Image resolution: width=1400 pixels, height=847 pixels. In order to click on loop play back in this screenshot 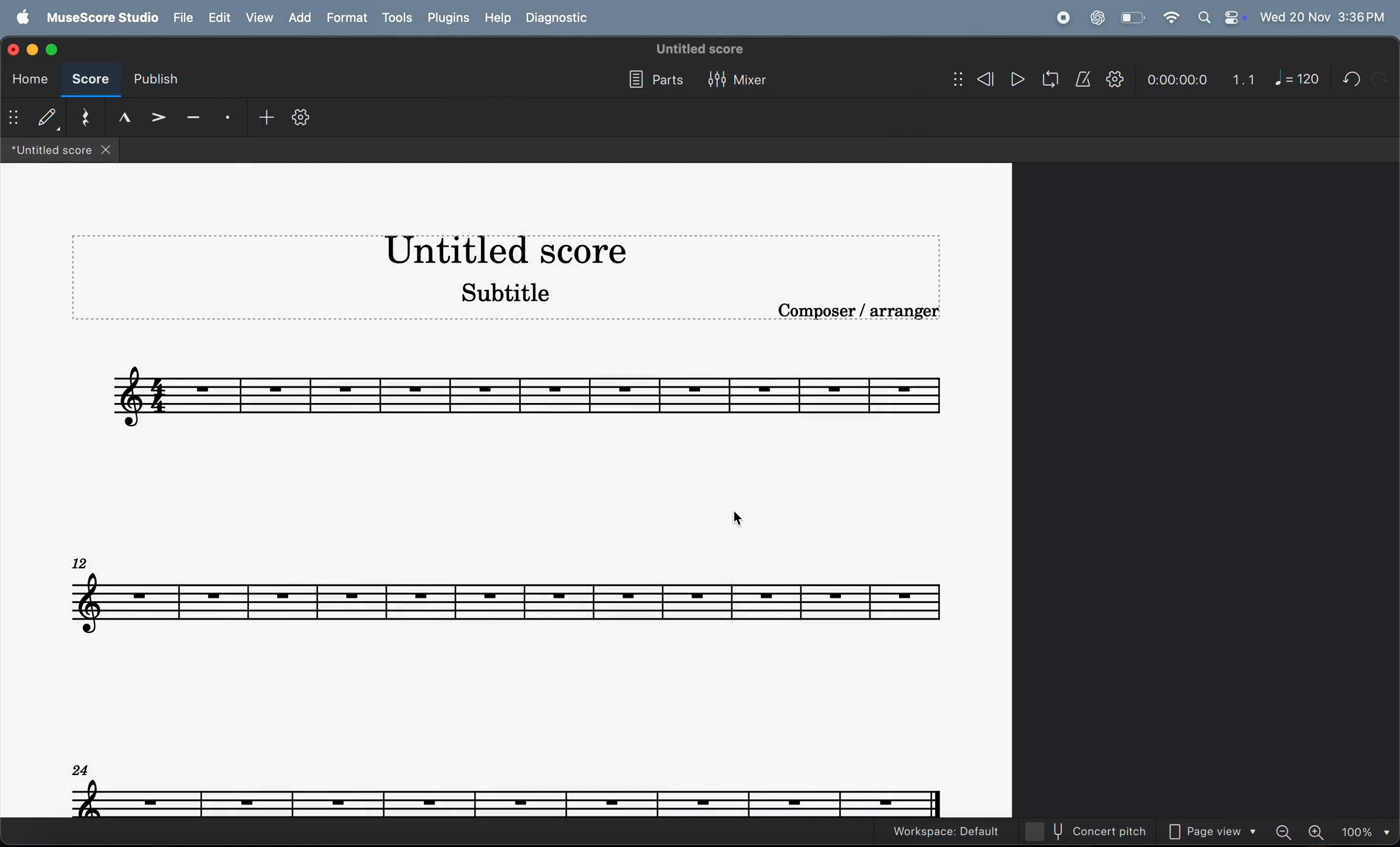, I will do `click(1051, 80)`.